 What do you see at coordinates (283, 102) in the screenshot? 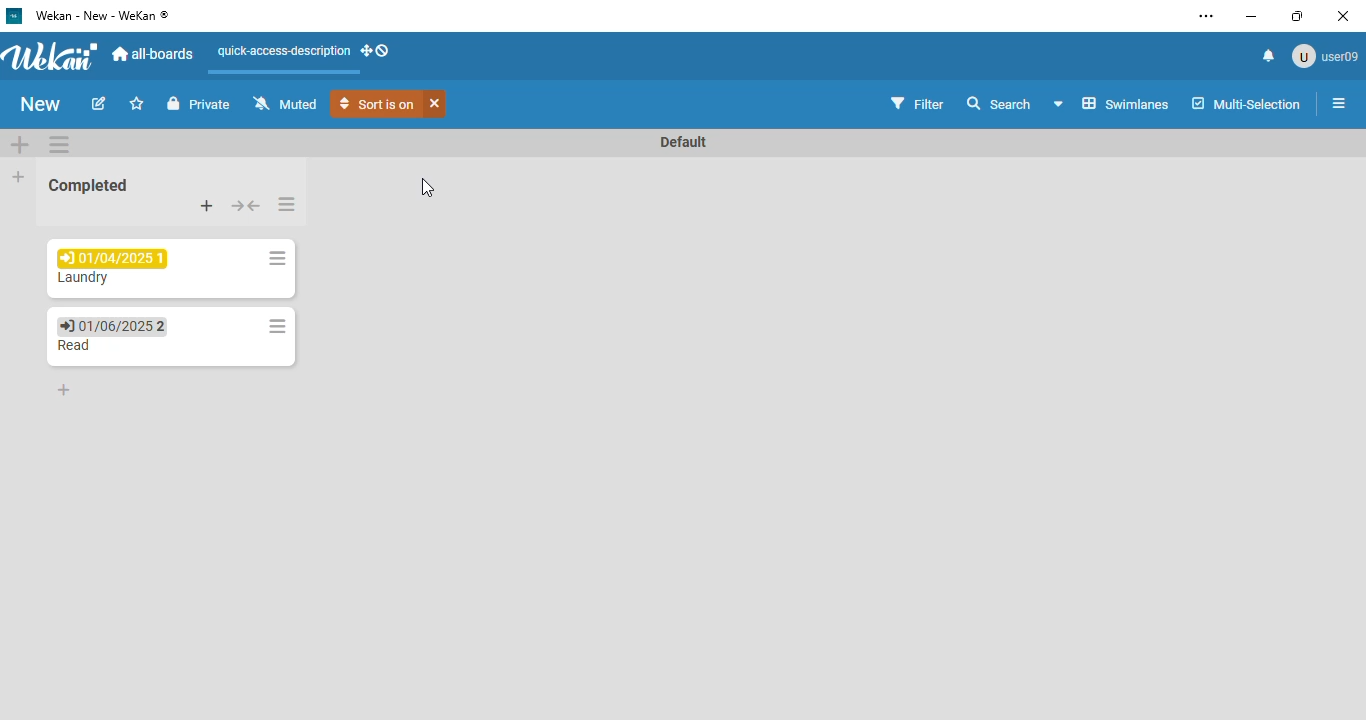
I see `muted` at bounding box center [283, 102].